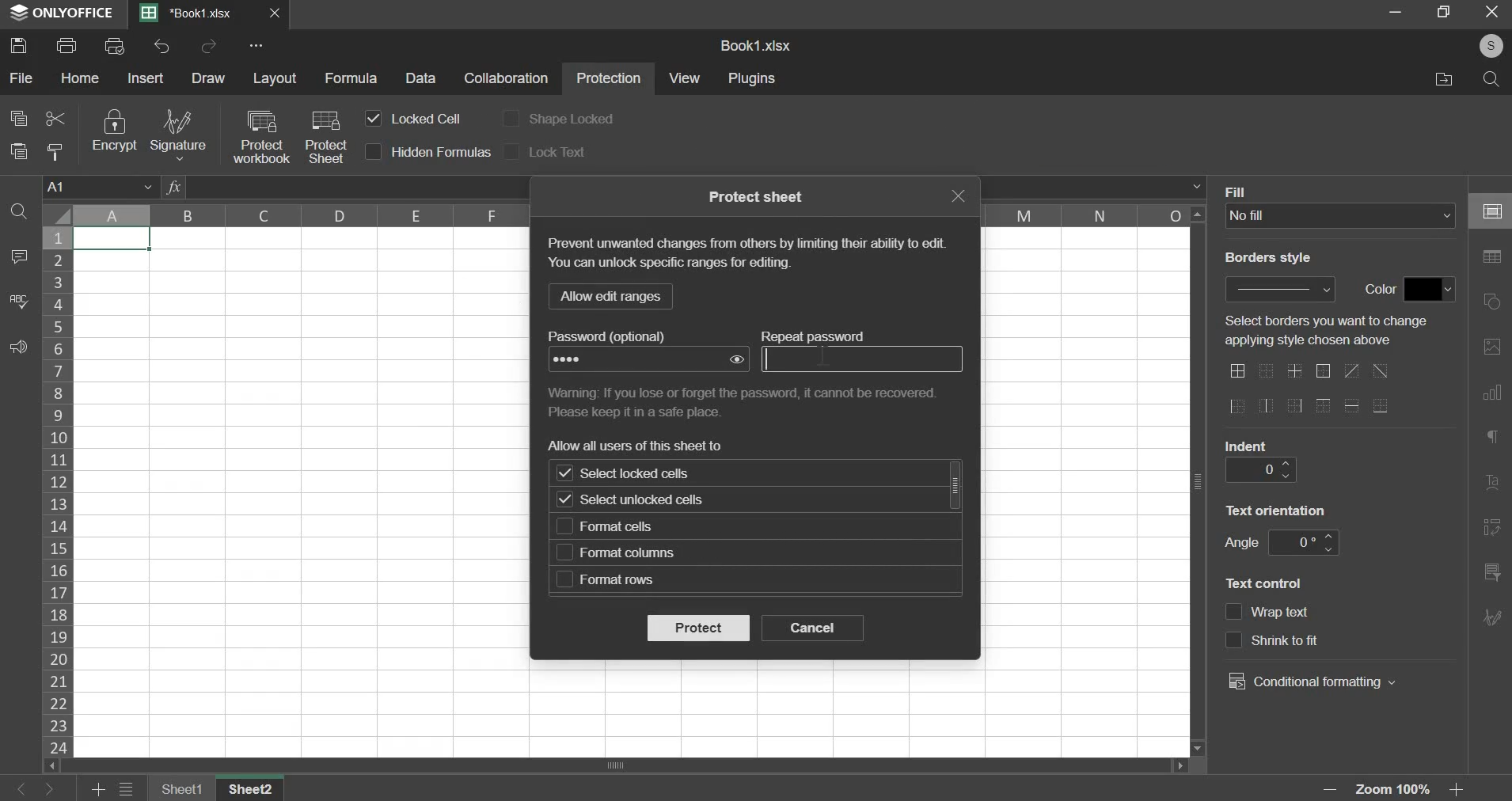  I want to click on border options, so click(1237, 407).